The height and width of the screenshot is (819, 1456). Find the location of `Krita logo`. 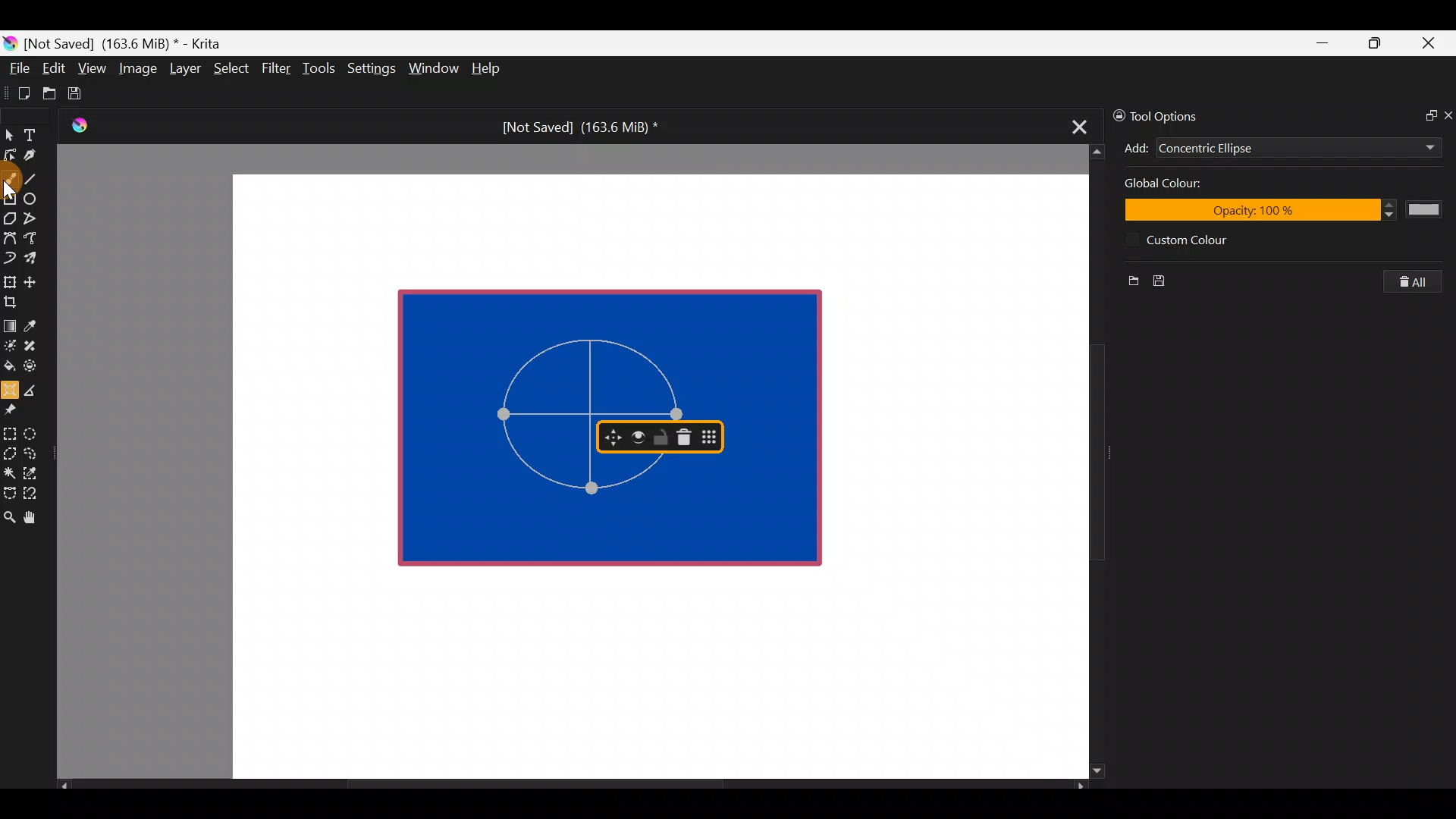

Krita logo is located at coordinates (10, 42).